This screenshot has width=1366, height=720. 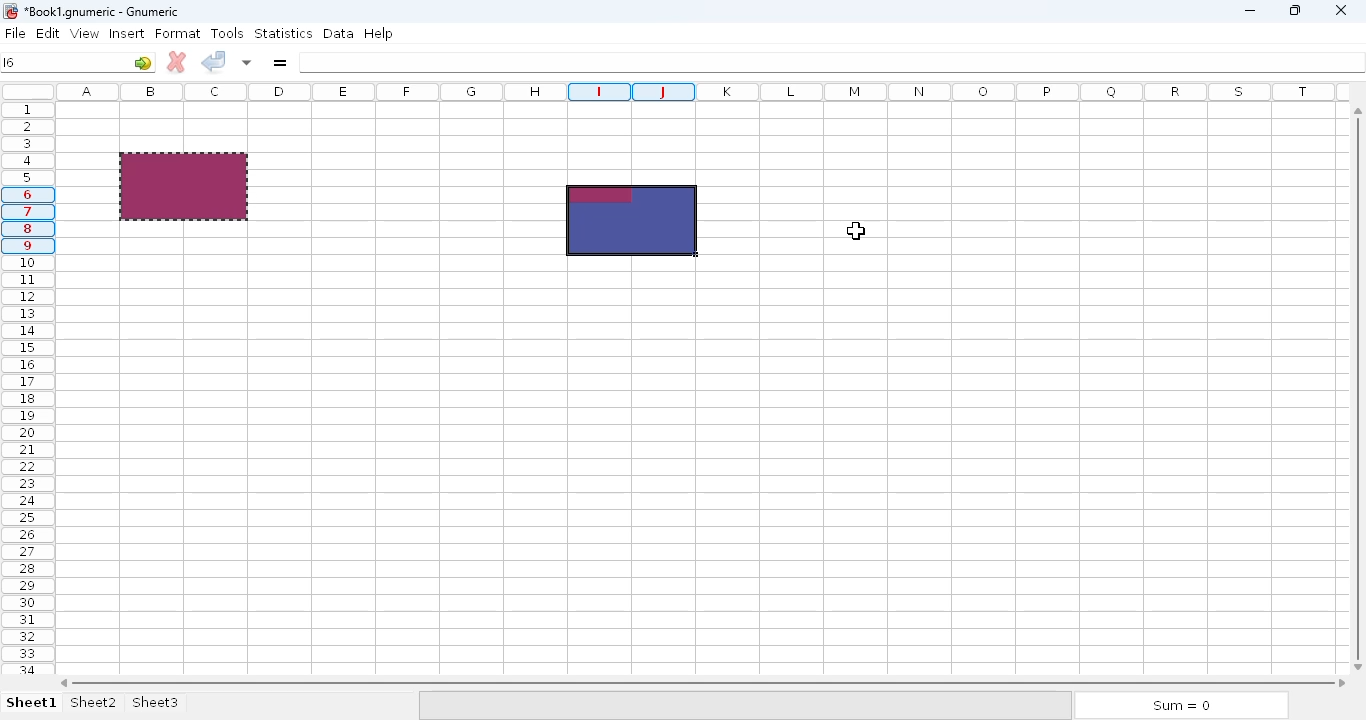 I want to click on view, so click(x=84, y=34).